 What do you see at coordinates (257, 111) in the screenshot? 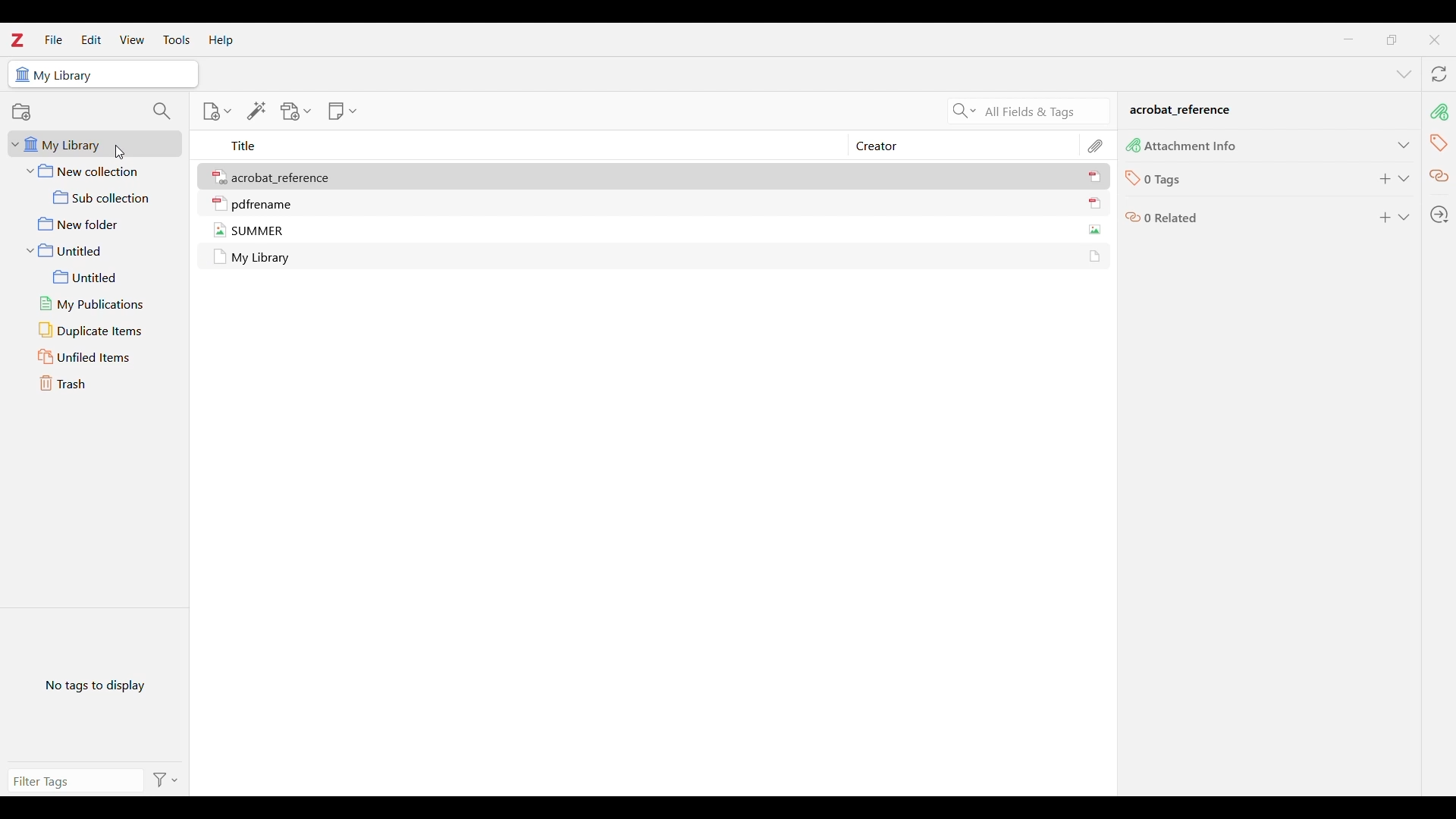
I see `Add item/s by identifier` at bounding box center [257, 111].